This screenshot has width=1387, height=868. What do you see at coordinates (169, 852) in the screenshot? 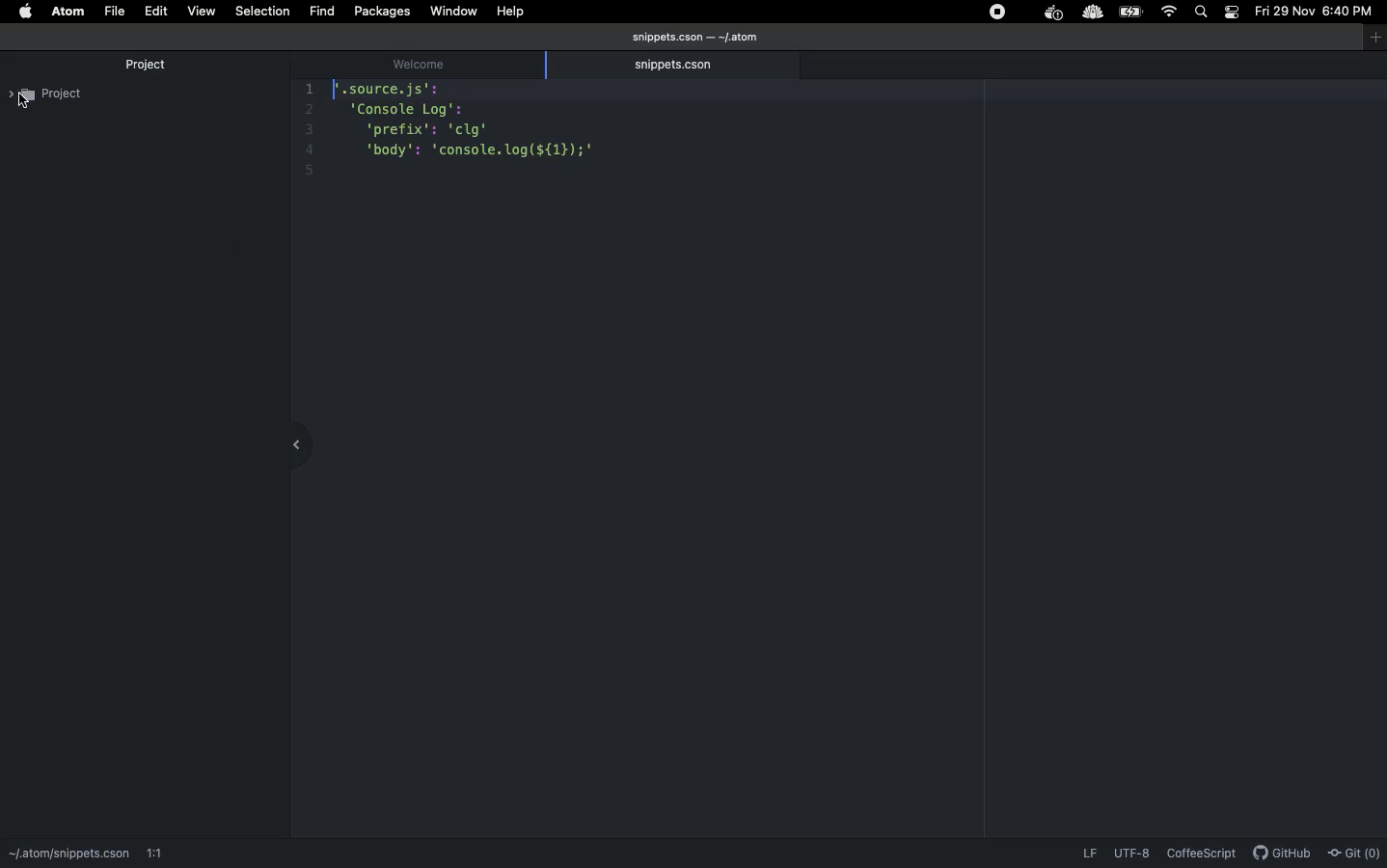
I see `1:1` at bounding box center [169, 852].